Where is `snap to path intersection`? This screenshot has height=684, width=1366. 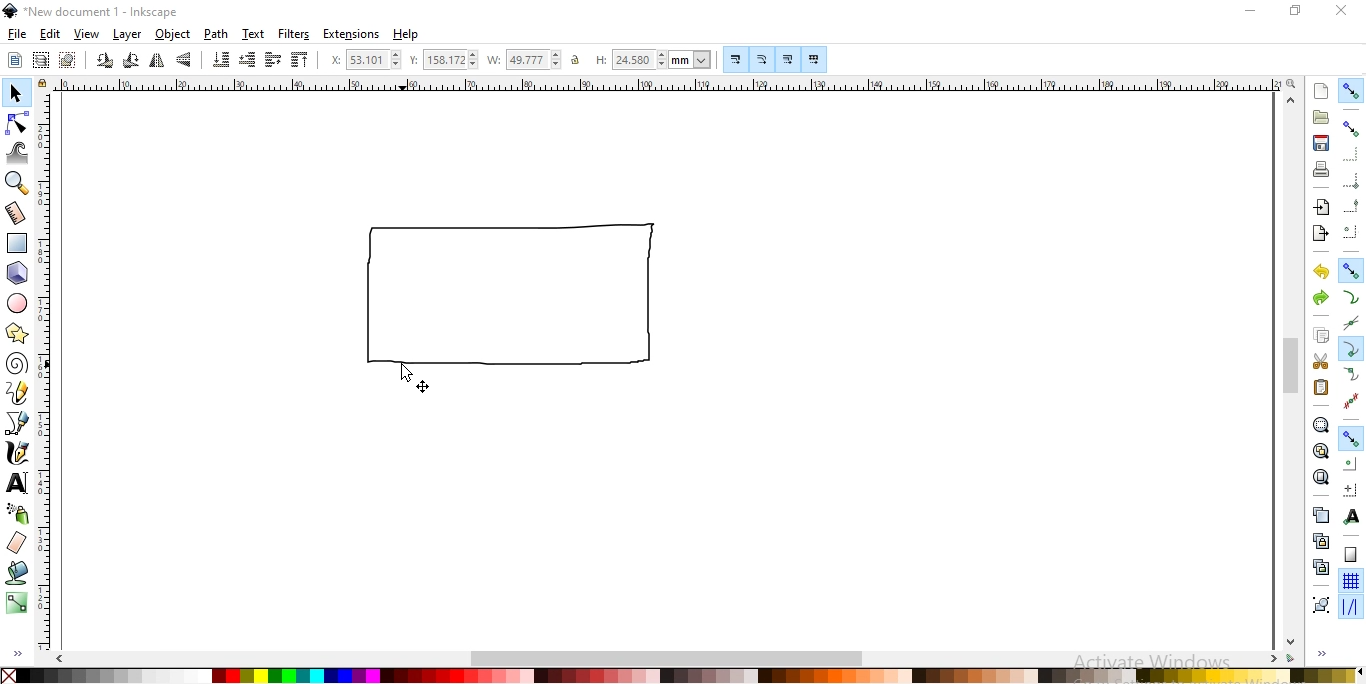 snap to path intersection is located at coordinates (1350, 326).